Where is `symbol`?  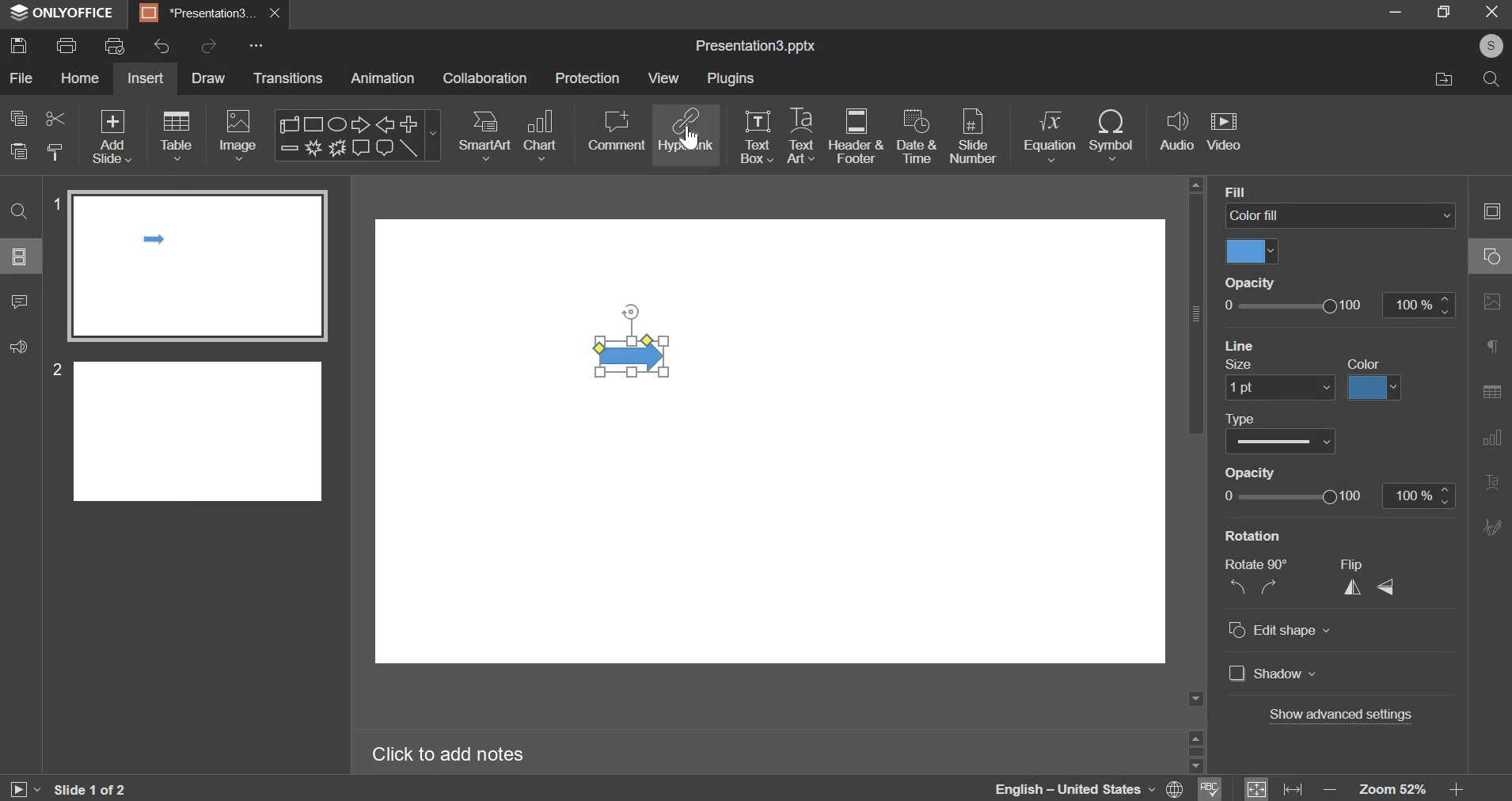
symbol is located at coordinates (1111, 135).